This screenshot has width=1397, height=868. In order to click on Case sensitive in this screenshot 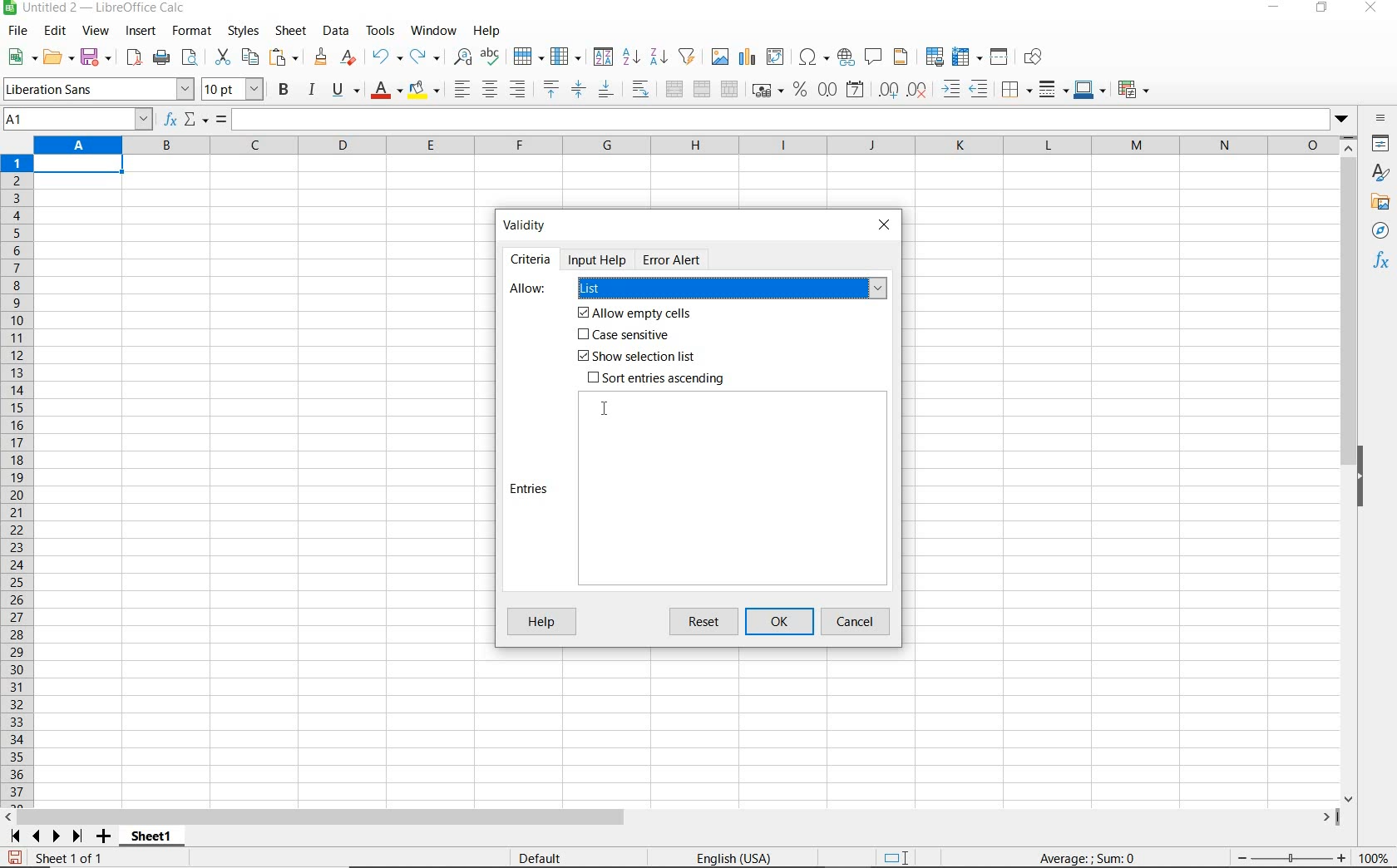, I will do `click(625, 336)`.